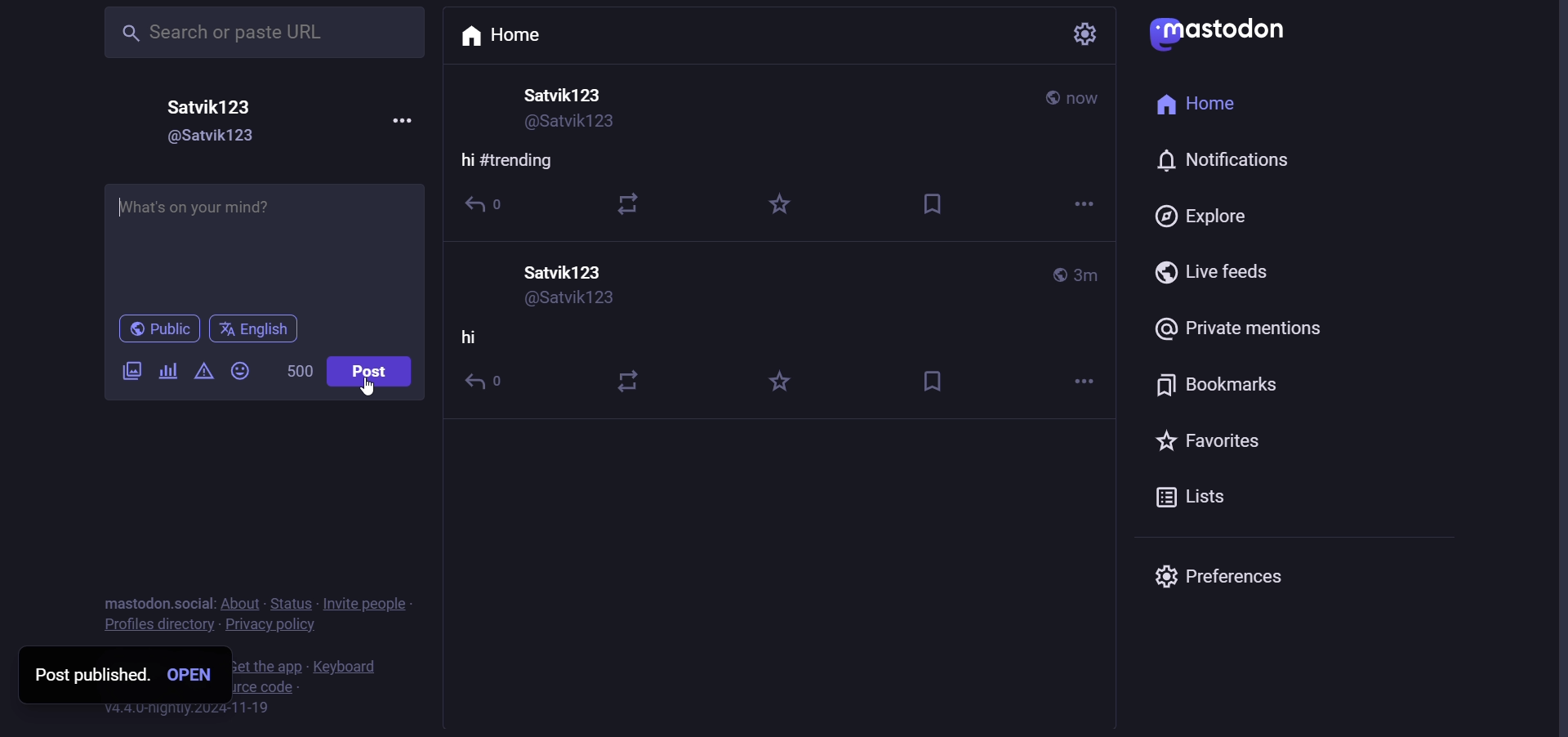  What do you see at coordinates (776, 374) in the screenshot?
I see `favorite` at bounding box center [776, 374].